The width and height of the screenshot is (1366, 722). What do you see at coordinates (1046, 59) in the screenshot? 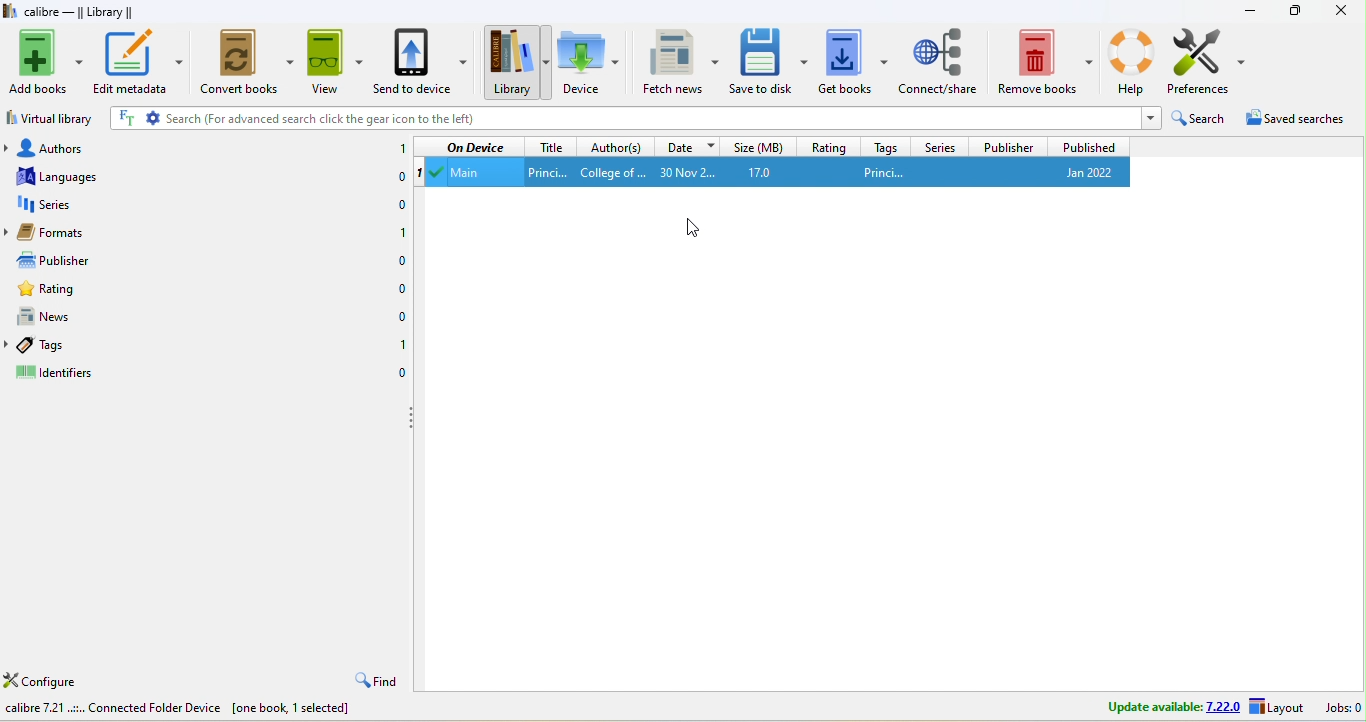
I see `remove books` at bounding box center [1046, 59].